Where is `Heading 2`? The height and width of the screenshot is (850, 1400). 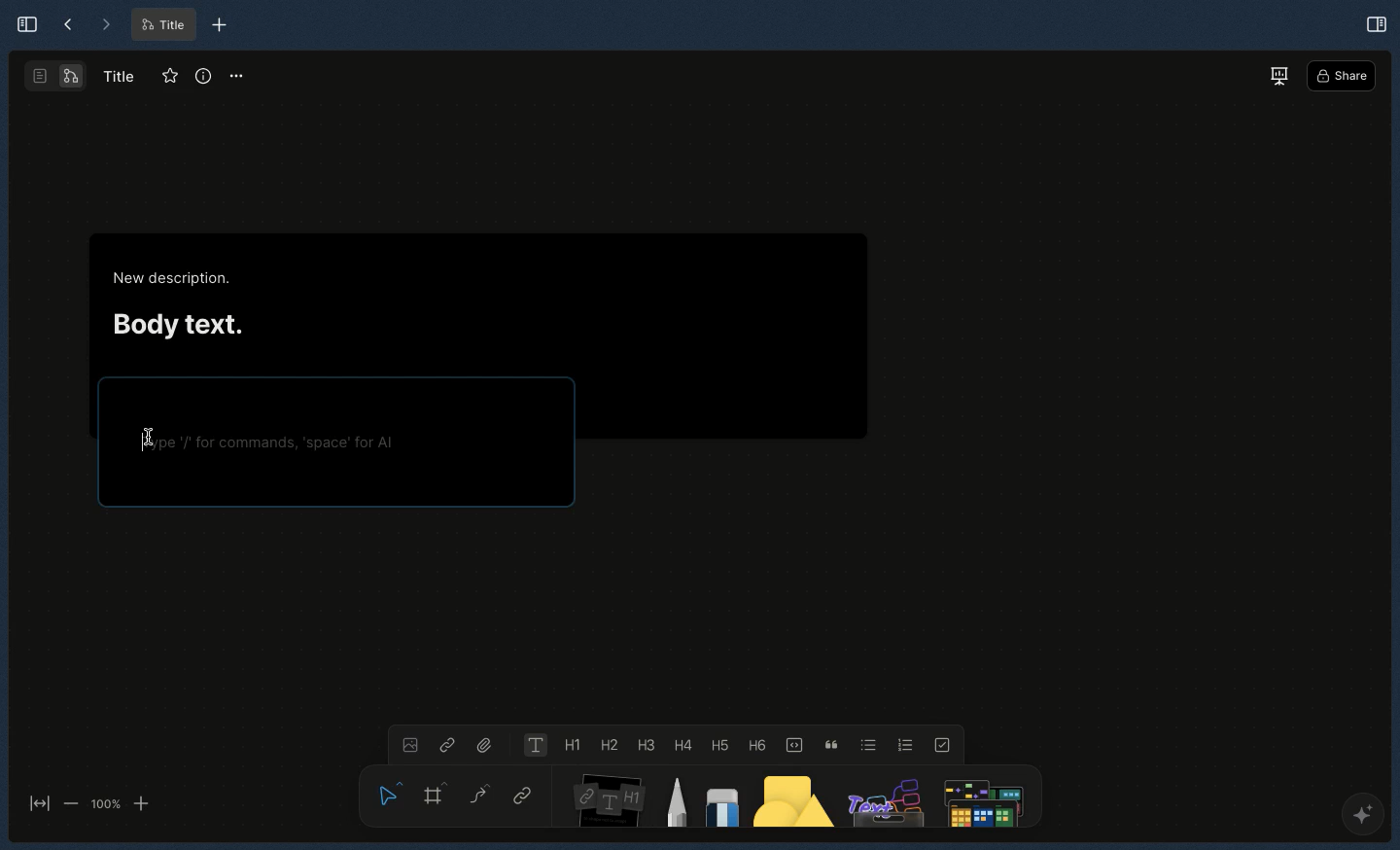
Heading 2 is located at coordinates (609, 744).